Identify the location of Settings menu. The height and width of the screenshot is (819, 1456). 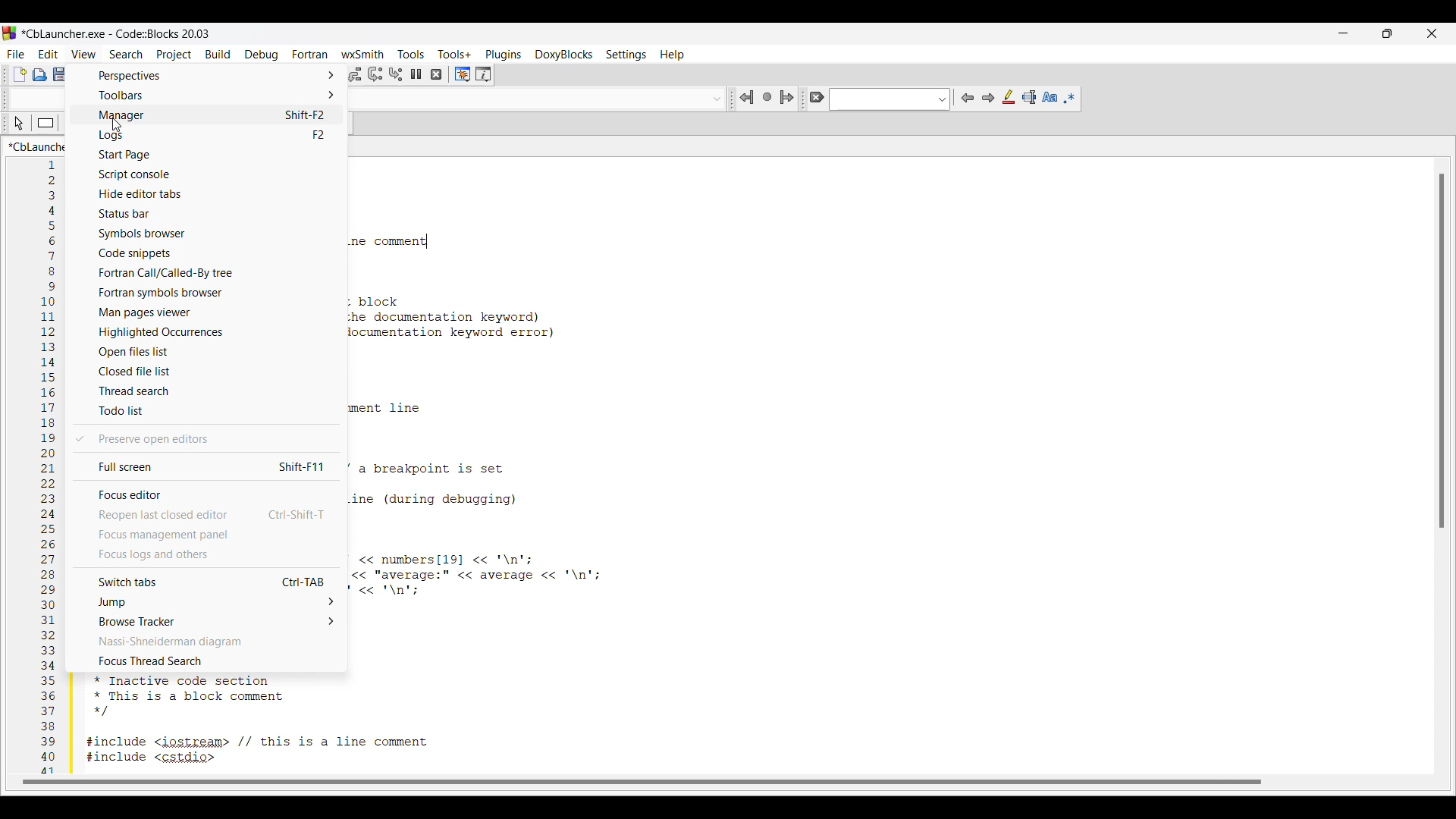
(626, 55).